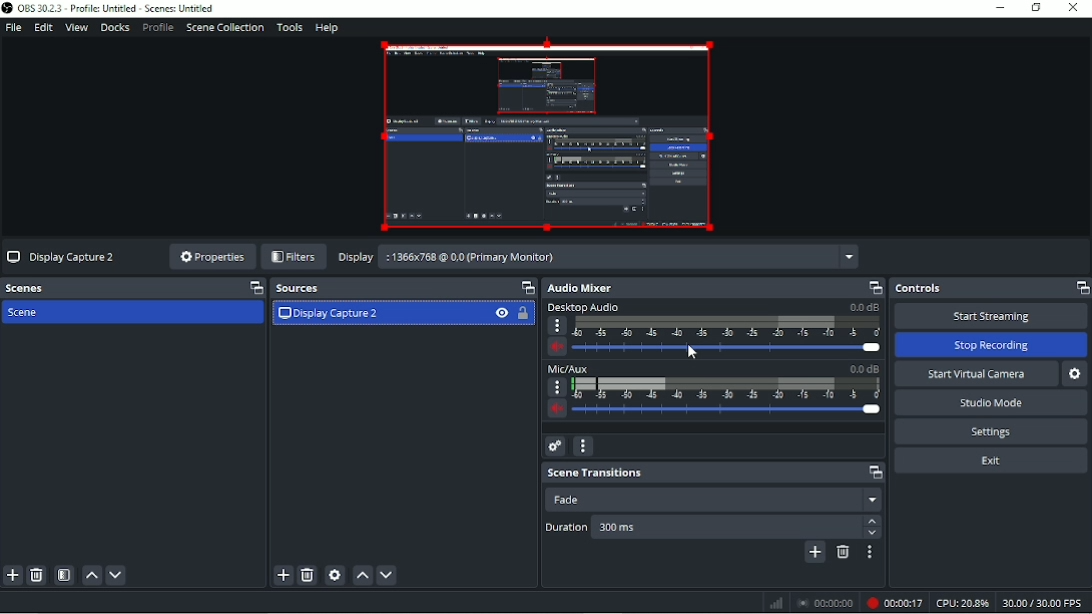 Image resolution: width=1092 pixels, height=614 pixels. What do you see at coordinates (814, 553) in the screenshot?
I see `Add configurable transition` at bounding box center [814, 553].